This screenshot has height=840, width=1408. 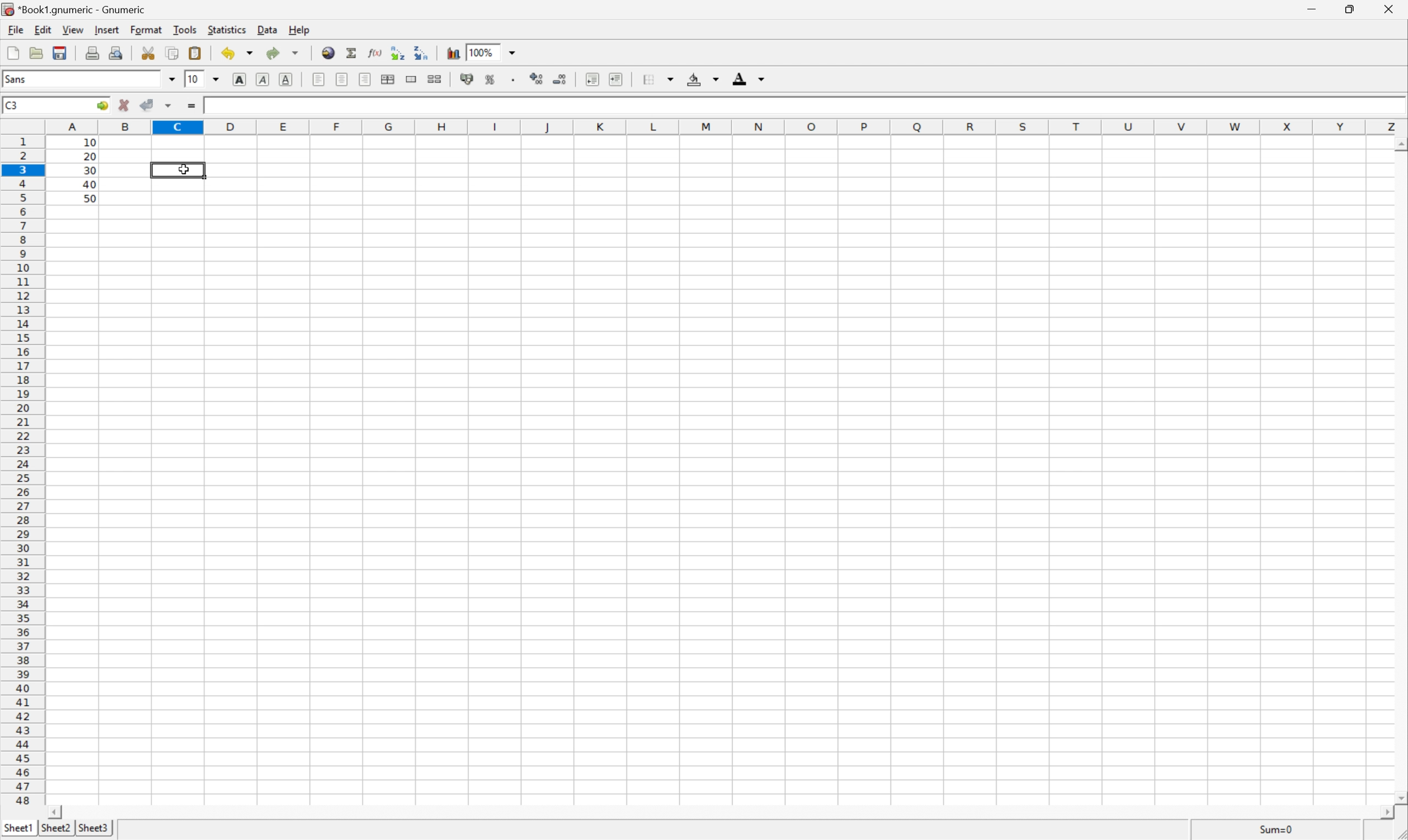 What do you see at coordinates (43, 28) in the screenshot?
I see `Edit` at bounding box center [43, 28].